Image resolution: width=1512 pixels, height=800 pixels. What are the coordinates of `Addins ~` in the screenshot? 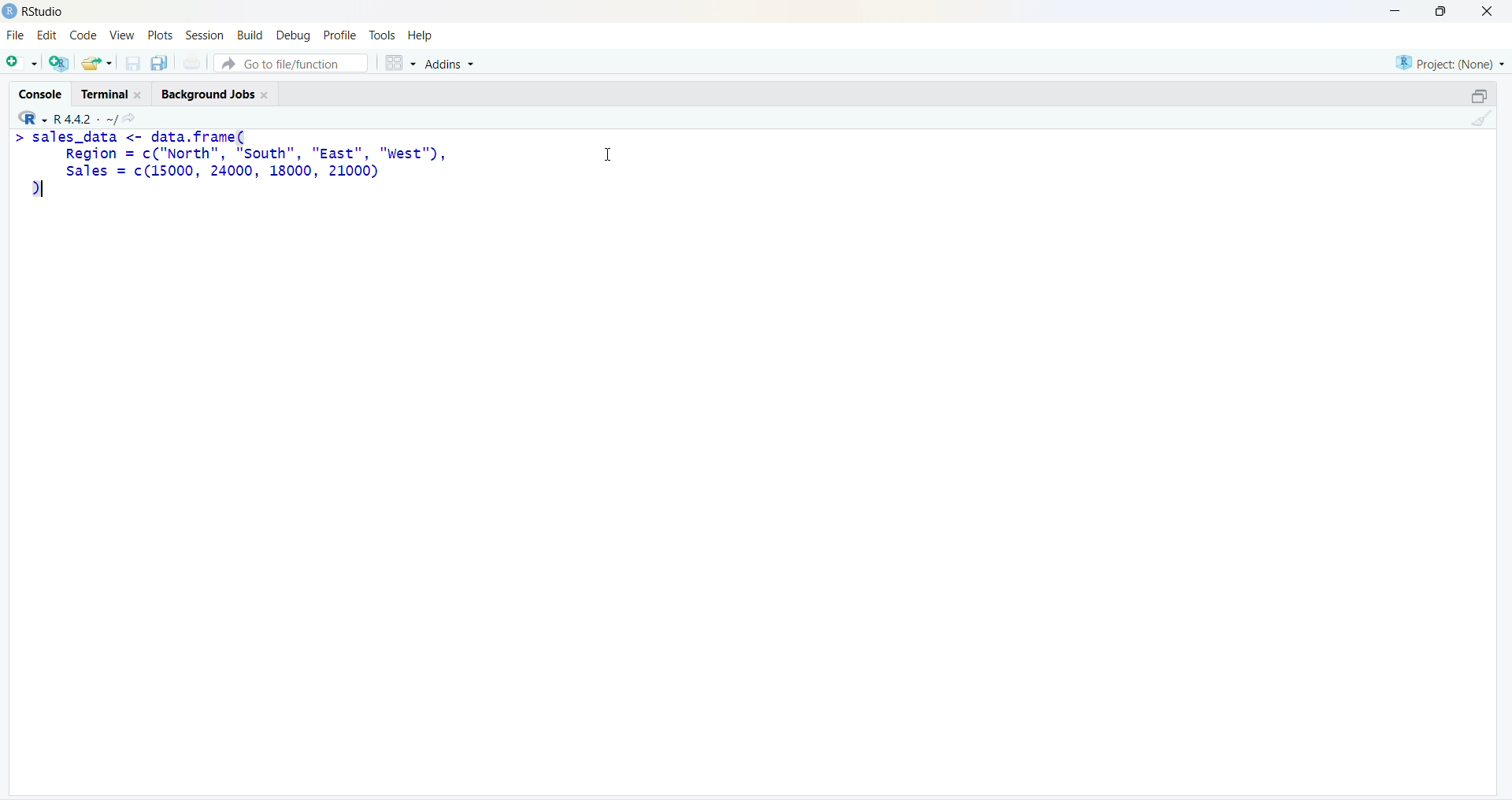 It's located at (450, 64).